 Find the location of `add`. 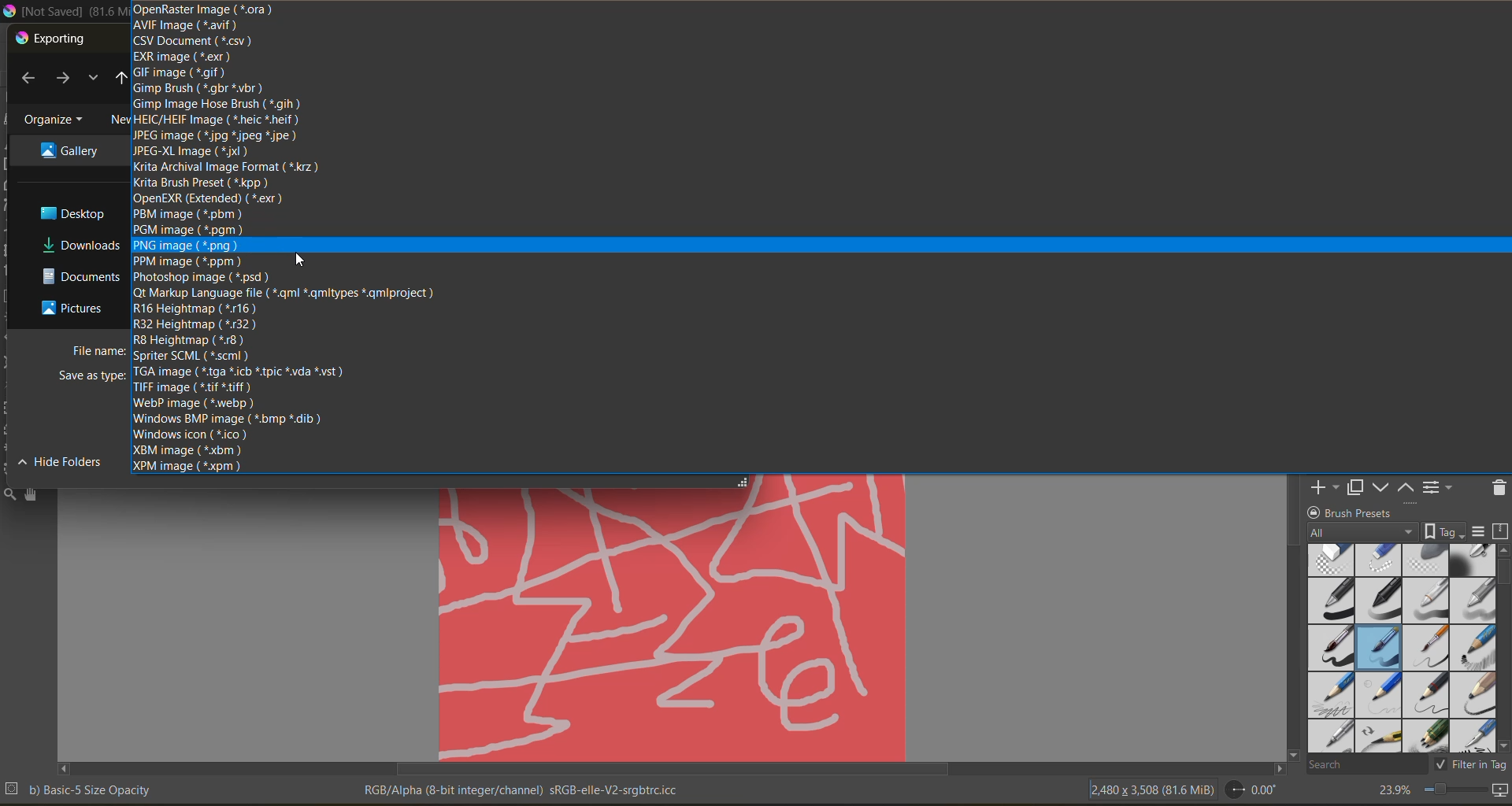

add is located at coordinates (1322, 486).